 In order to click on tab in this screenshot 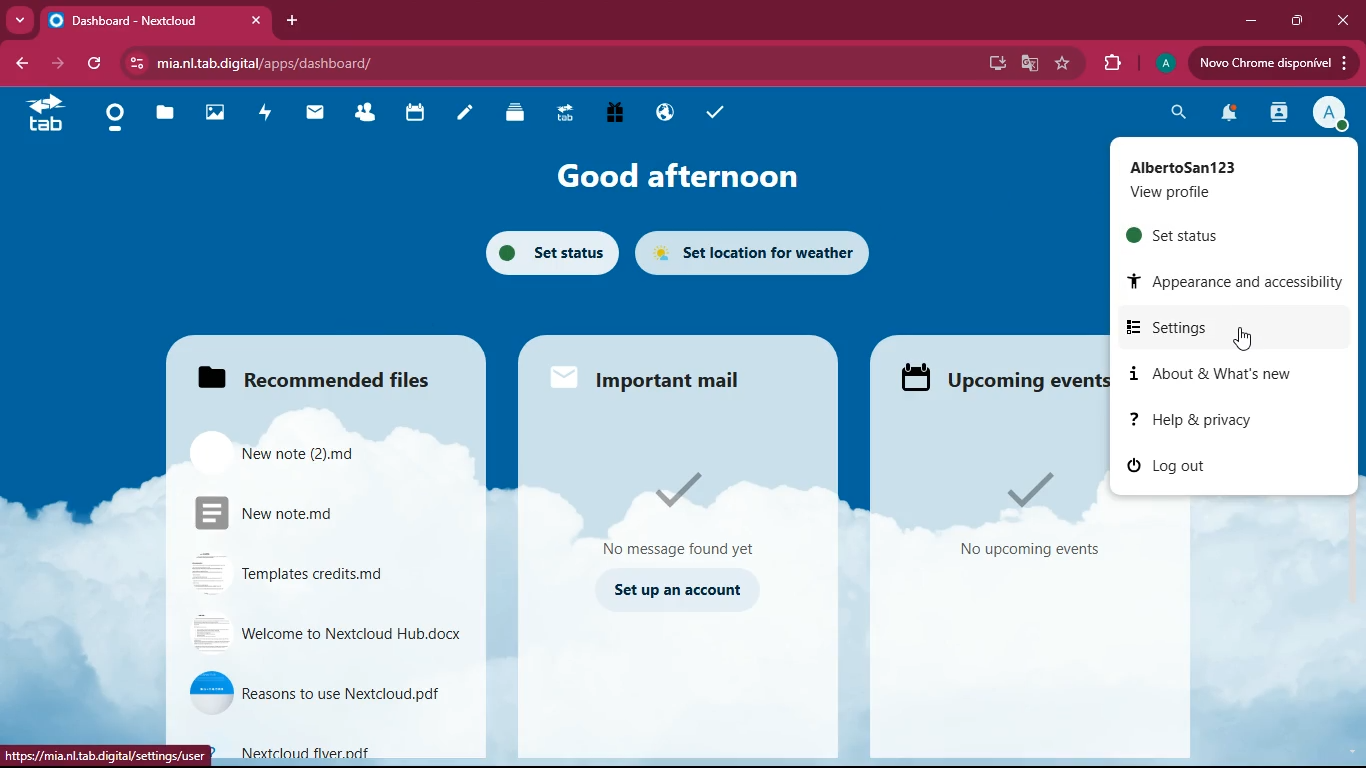, I will do `click(144, 20)`.